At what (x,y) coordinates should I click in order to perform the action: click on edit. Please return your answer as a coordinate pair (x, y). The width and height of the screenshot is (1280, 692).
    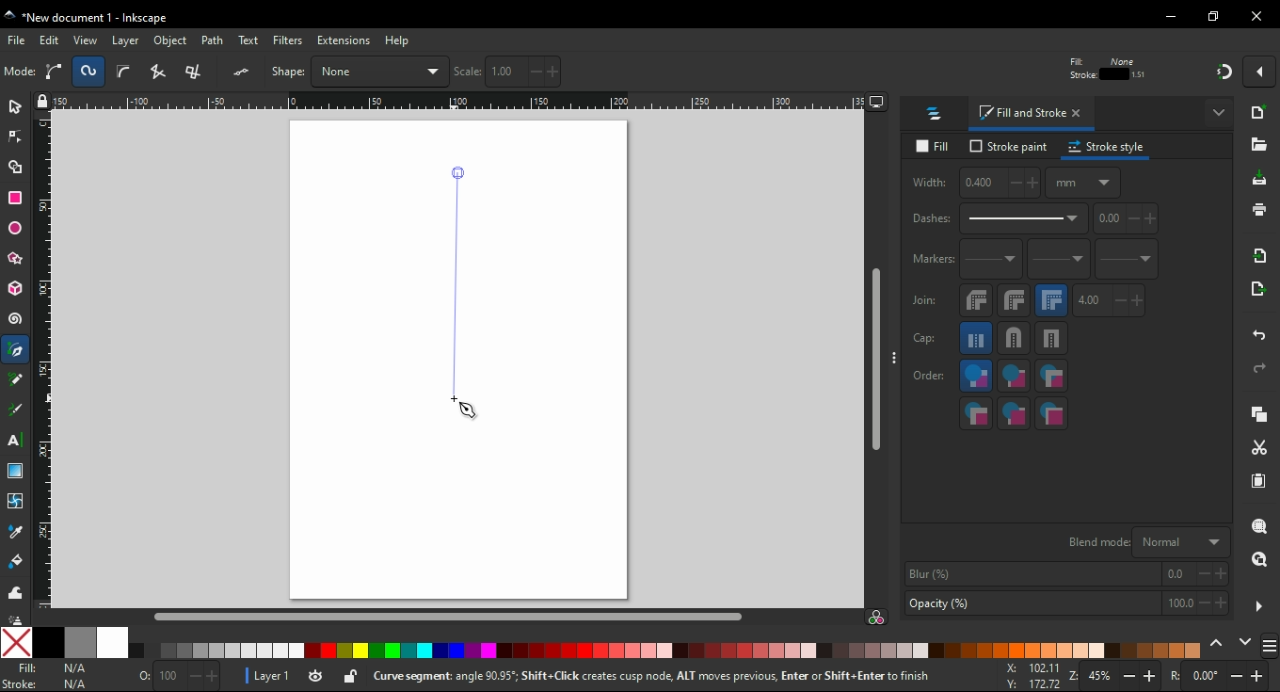
    Looking at the image, I should click on (50, 40).